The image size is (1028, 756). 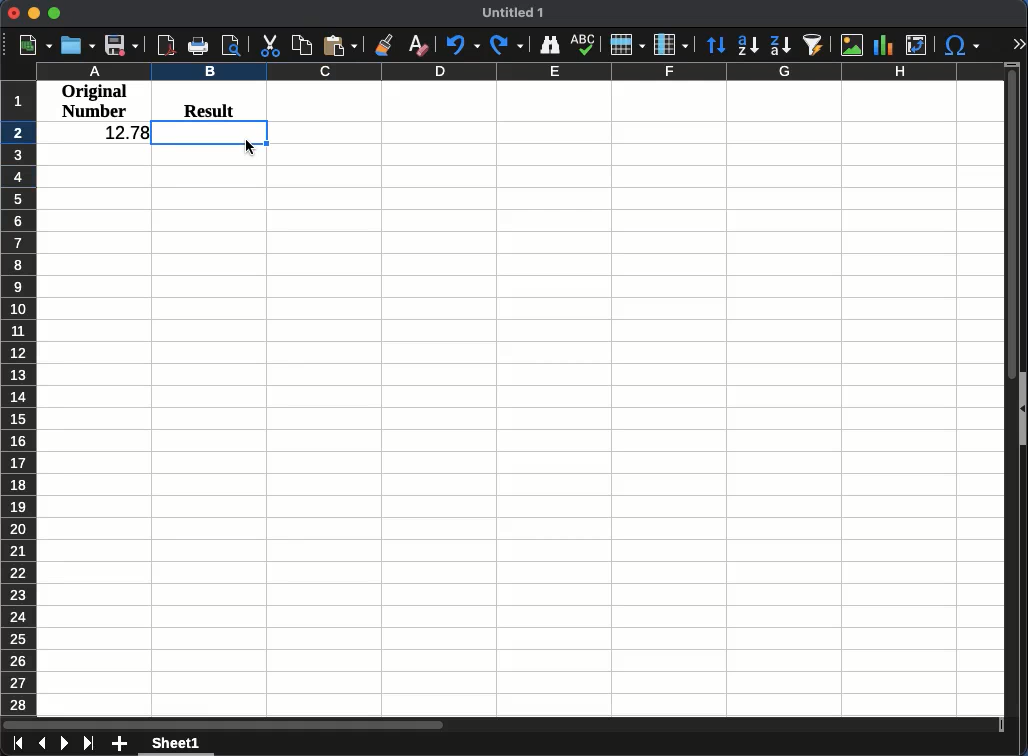 I want to click on Rows, so click(x=627, y=44).